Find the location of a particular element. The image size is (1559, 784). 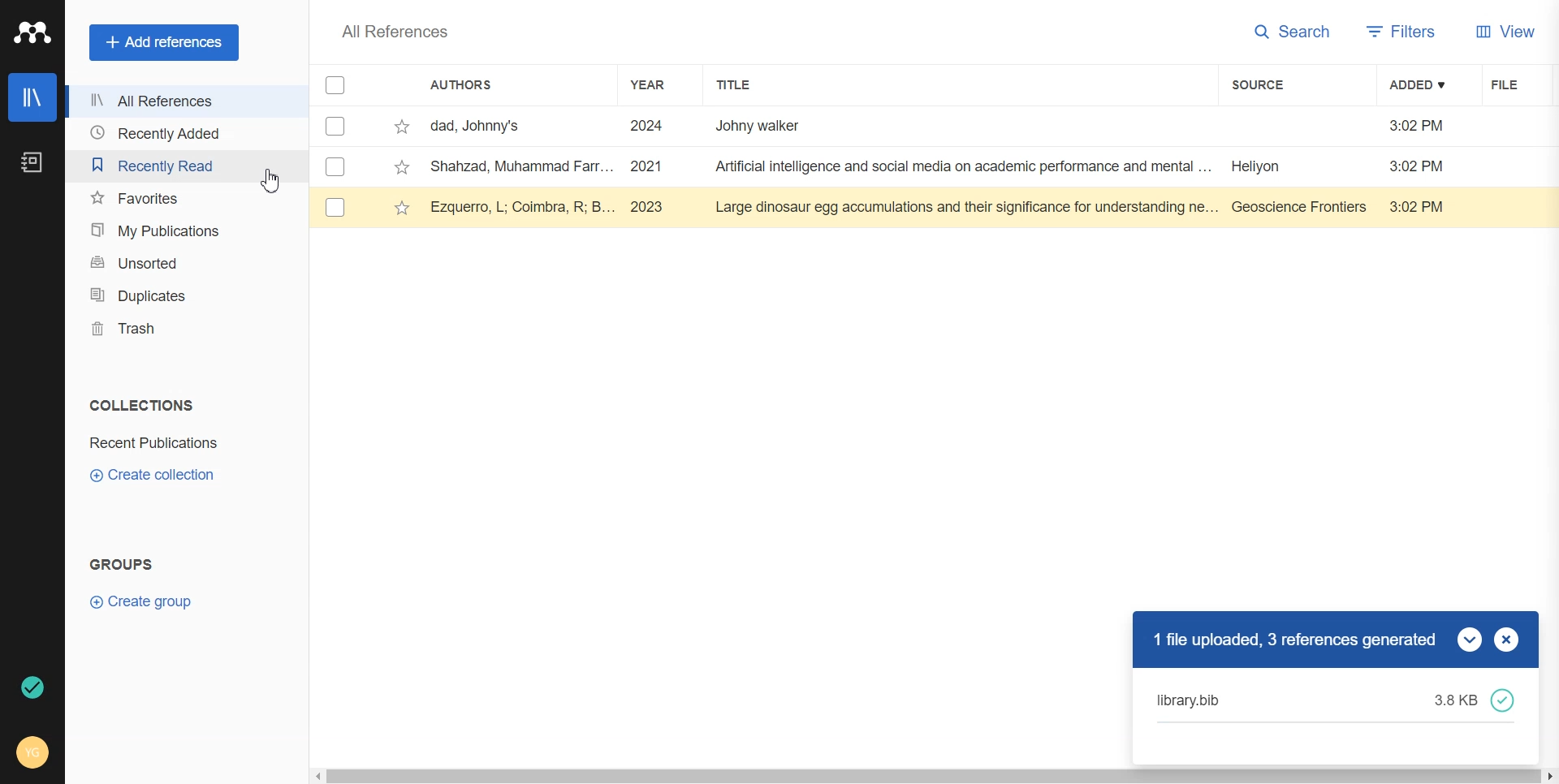

dad, Johnny's 2024 Johny walker 3:02 PM is located at coordinates (947, 126).